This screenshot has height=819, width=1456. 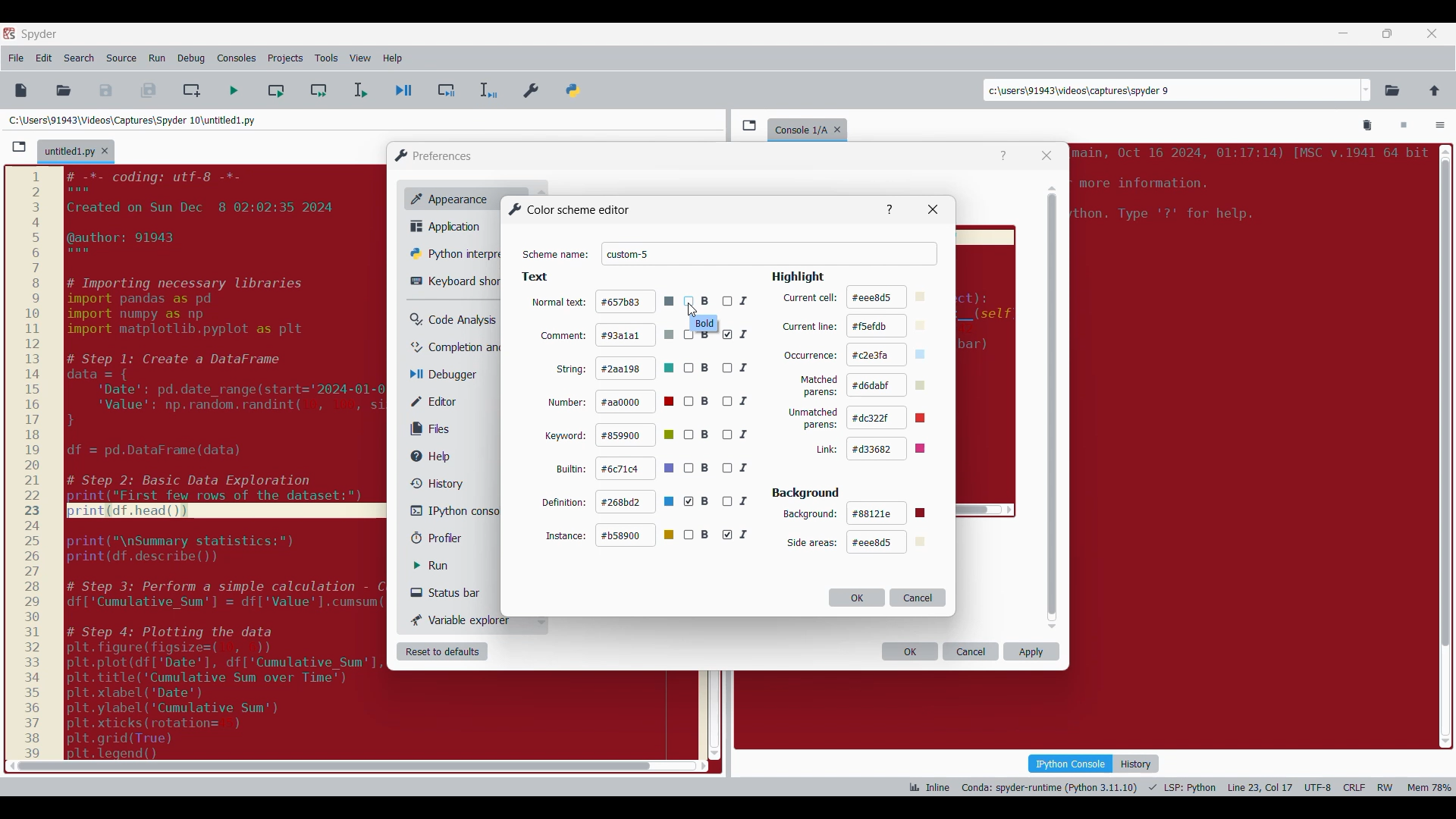 I want to click on Status bar, so click(x=451, y=592).